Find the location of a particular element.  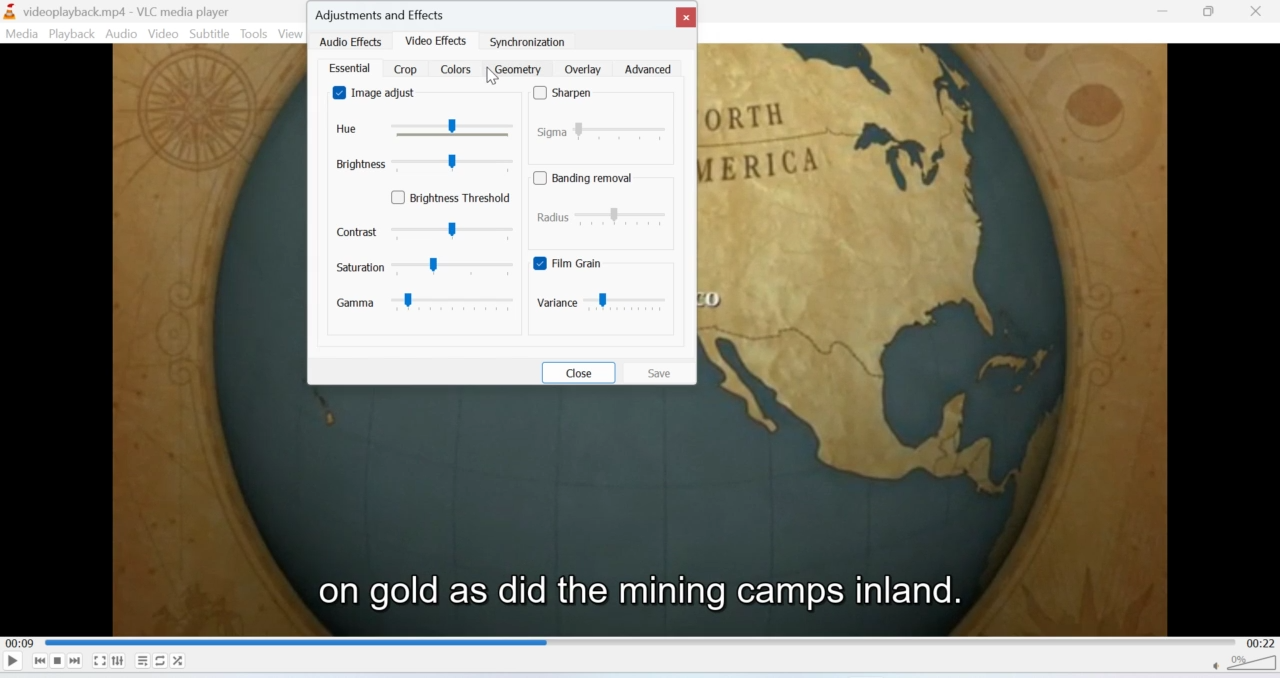

colors is located at coordinates (455, 69).